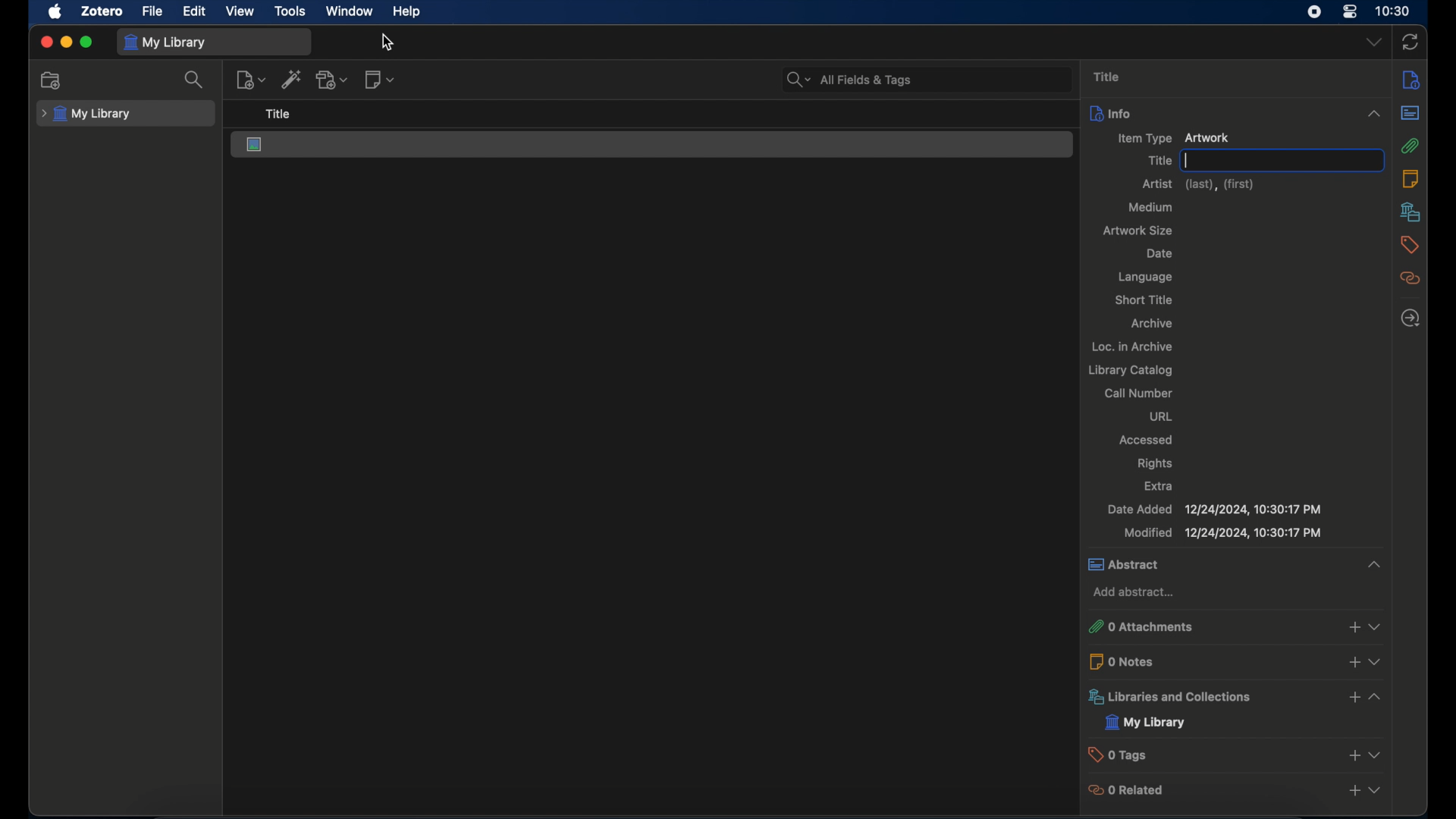 Image resolution: width=1456 pixels, height=819 pixels. Describe the element at coordinates (1141, 231) in the screenshot. I see `artwork size` at that location.